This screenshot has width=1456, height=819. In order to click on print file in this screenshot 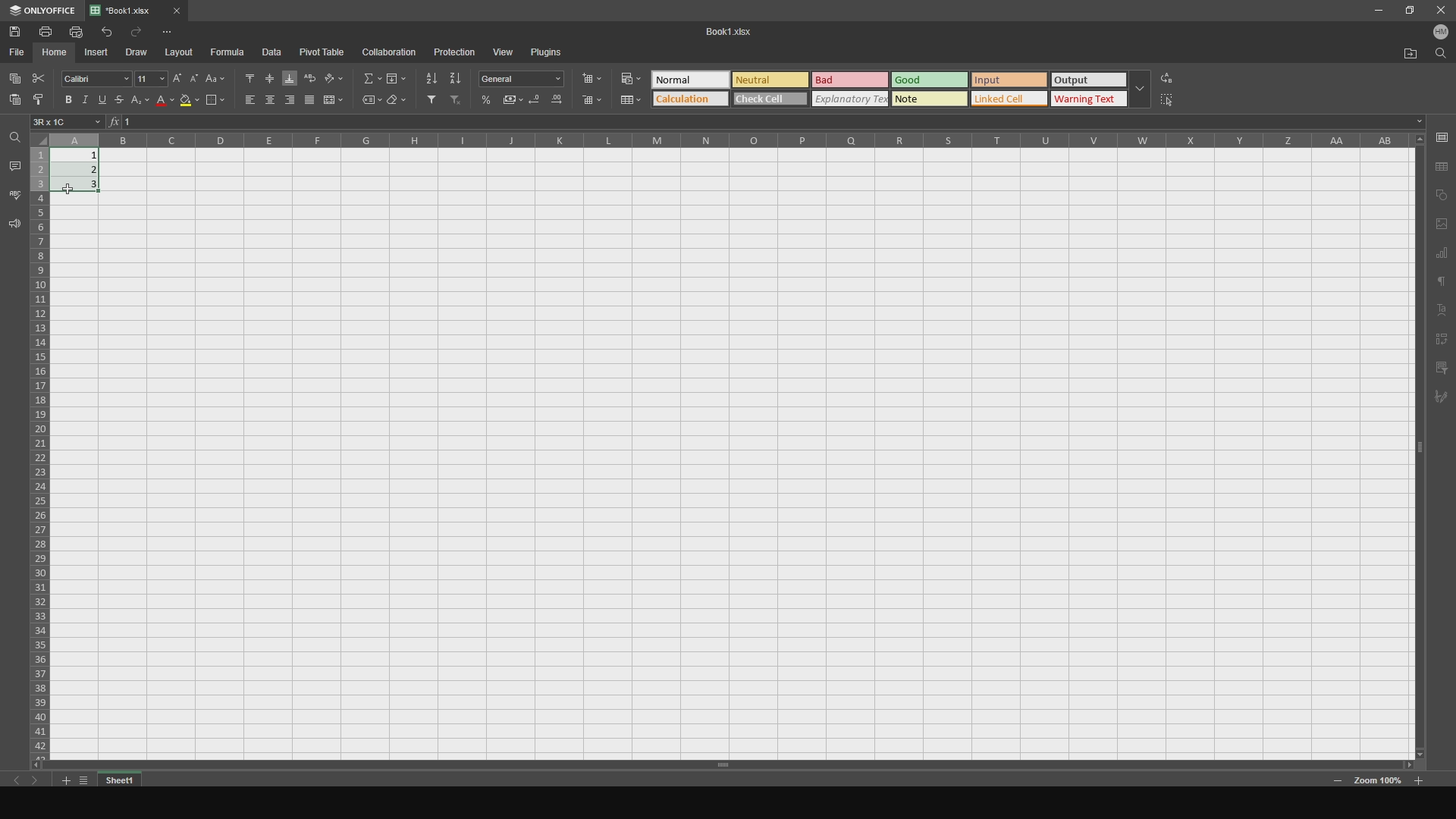, I will do `click(77, 32)`.